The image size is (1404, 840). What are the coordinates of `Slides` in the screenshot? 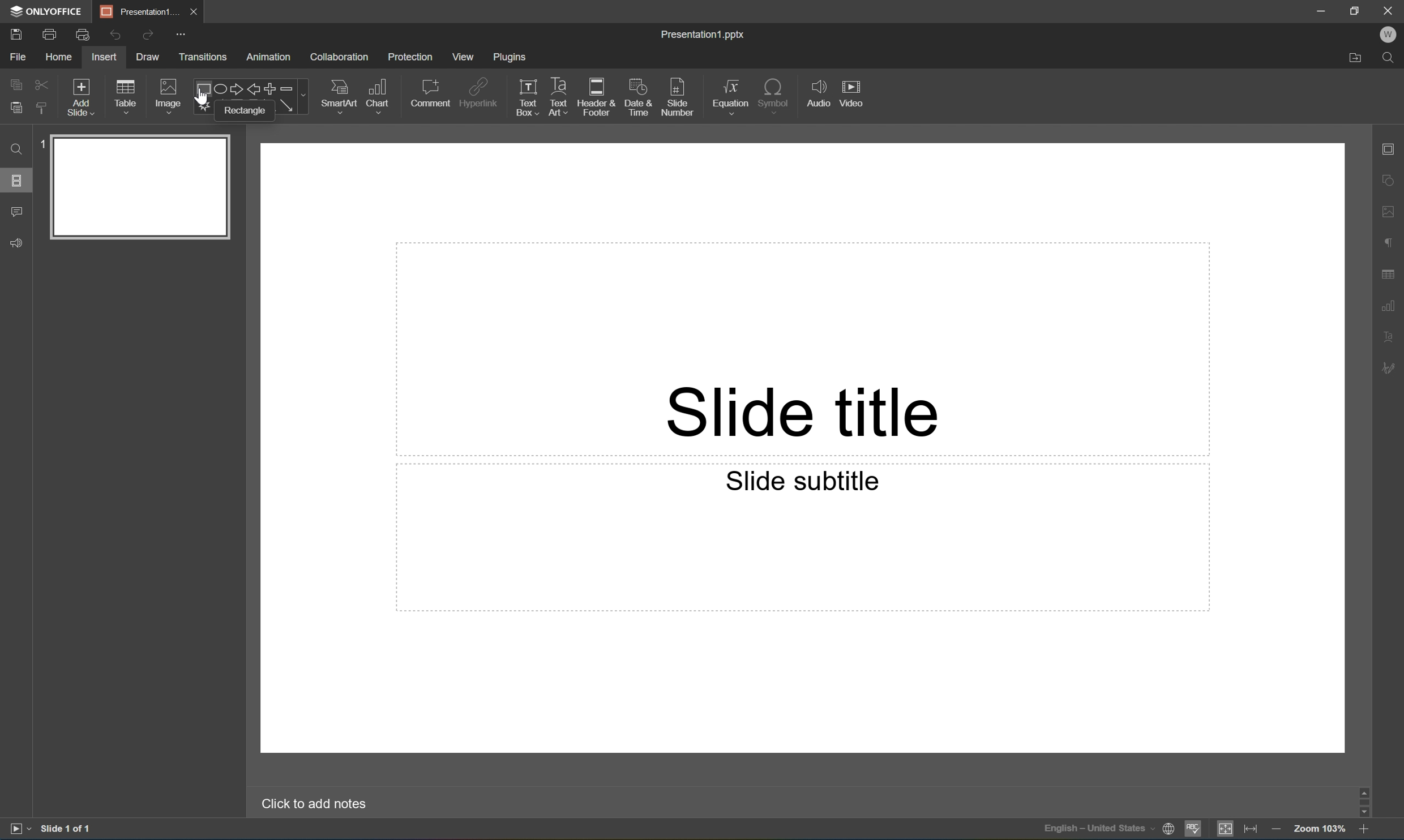 It's located at (16, 179).